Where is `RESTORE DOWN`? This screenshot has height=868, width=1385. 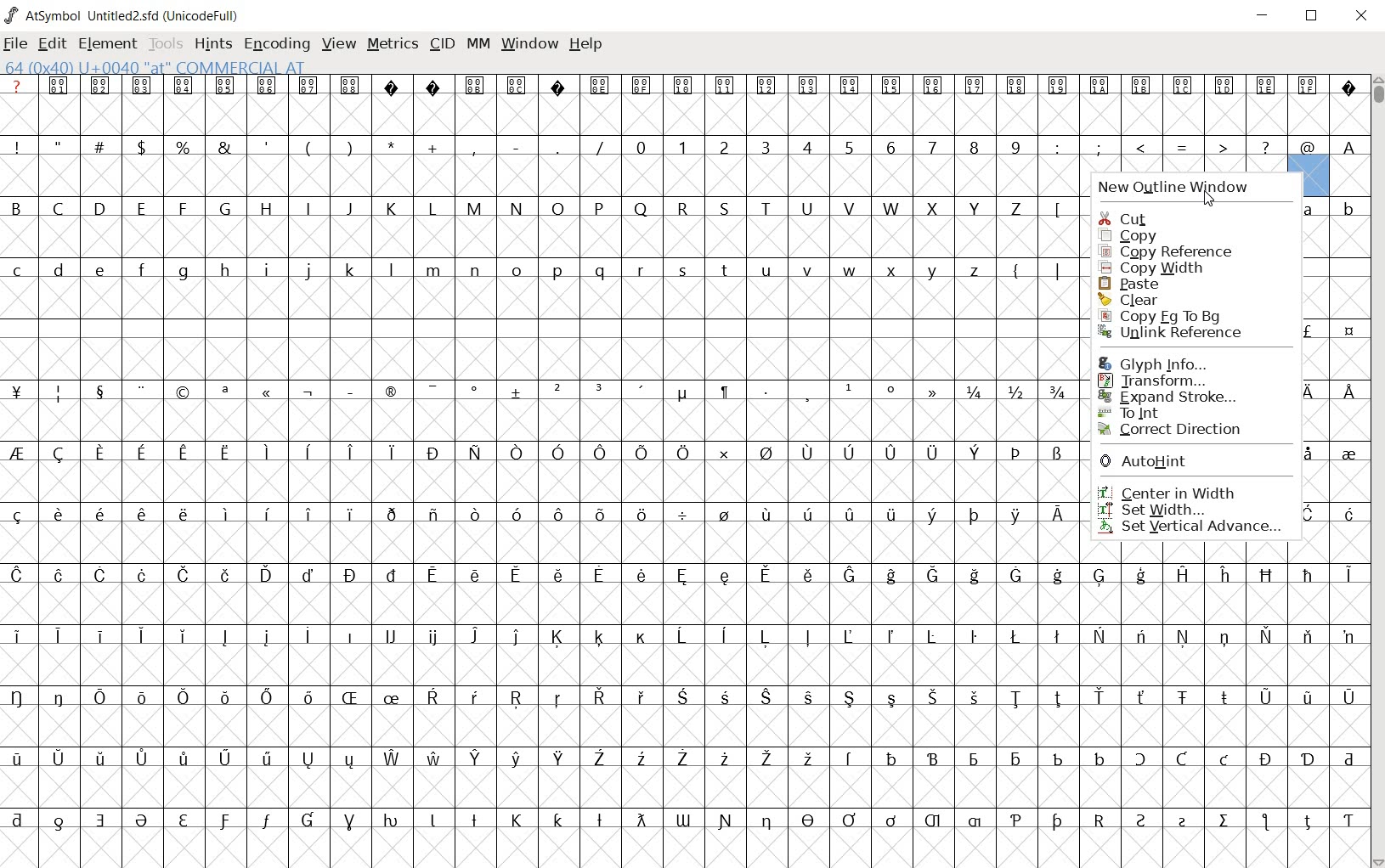 RESTORE DOWN is located at coordinates (1314, 19).